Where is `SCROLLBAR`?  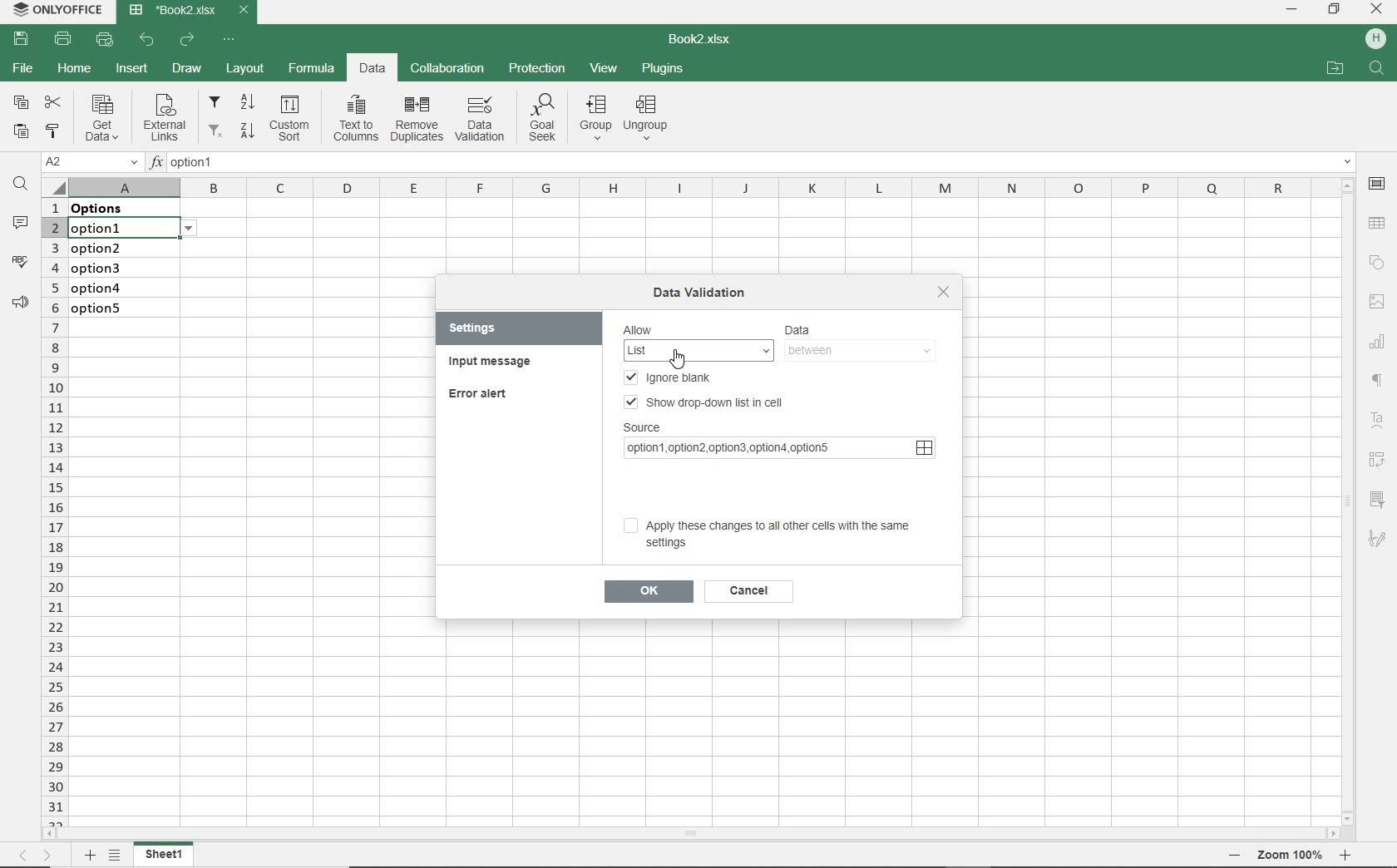
SCROLLBAR is located at coordinates (1348, 501).